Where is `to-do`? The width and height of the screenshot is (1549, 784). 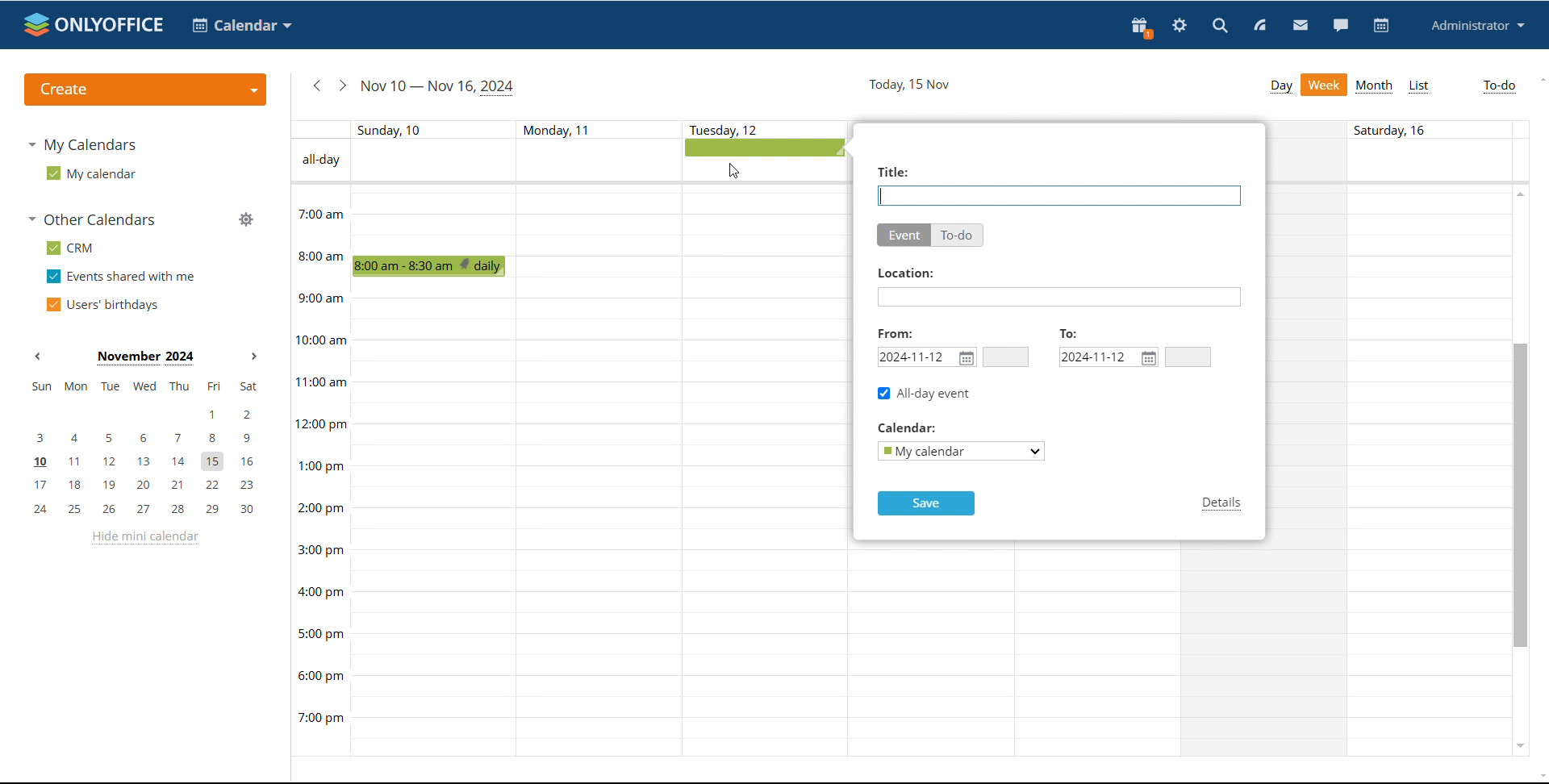 to-do is located at coordinates (1500, 87).